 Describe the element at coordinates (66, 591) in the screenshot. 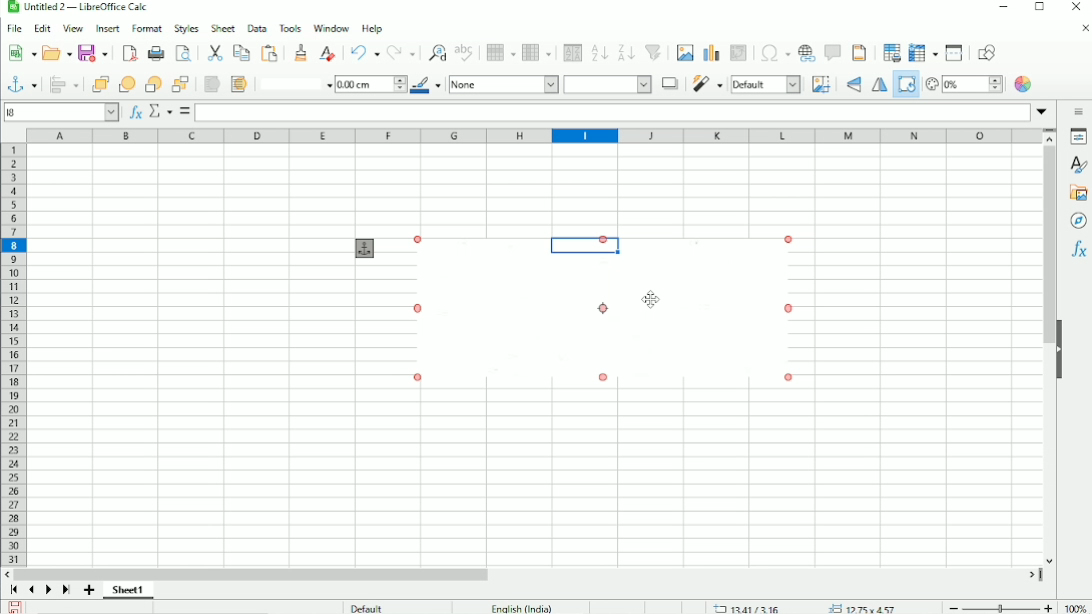

I see `Scroll to last sheet` at that location.